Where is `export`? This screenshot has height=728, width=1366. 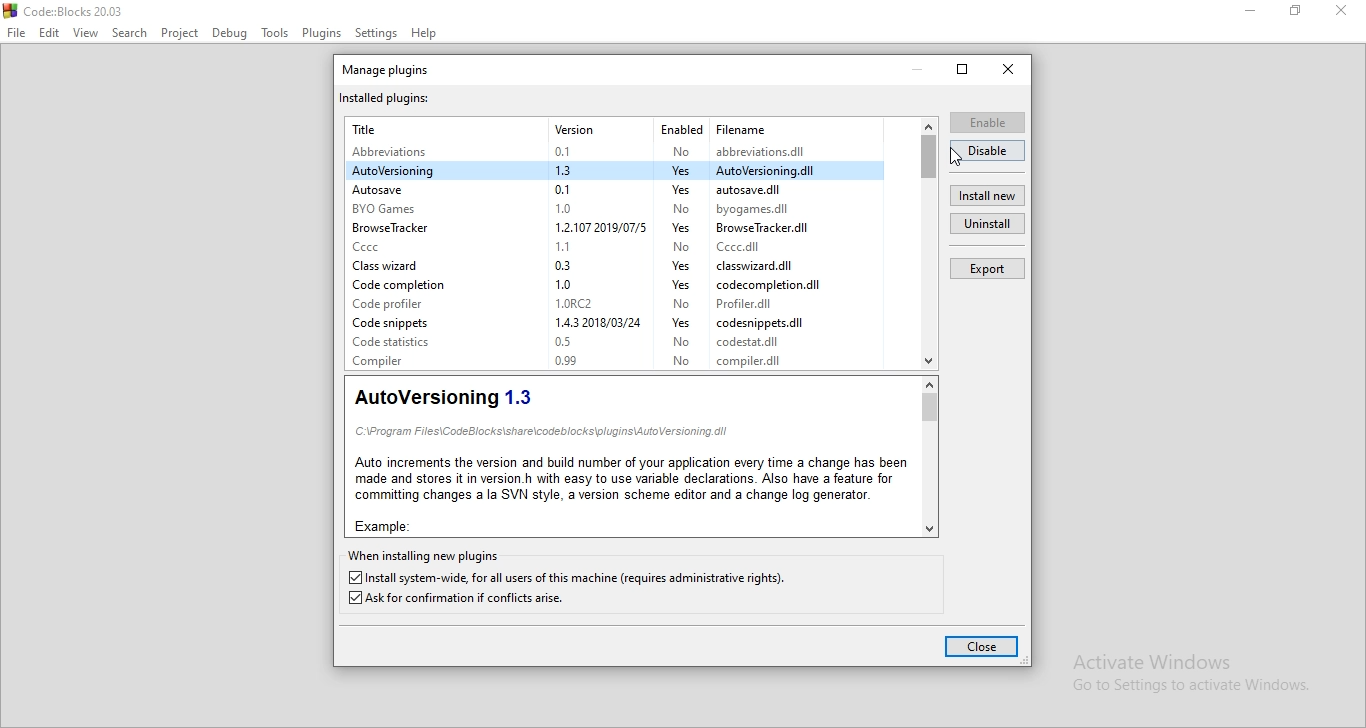
export is located at coordinates (990, 268).